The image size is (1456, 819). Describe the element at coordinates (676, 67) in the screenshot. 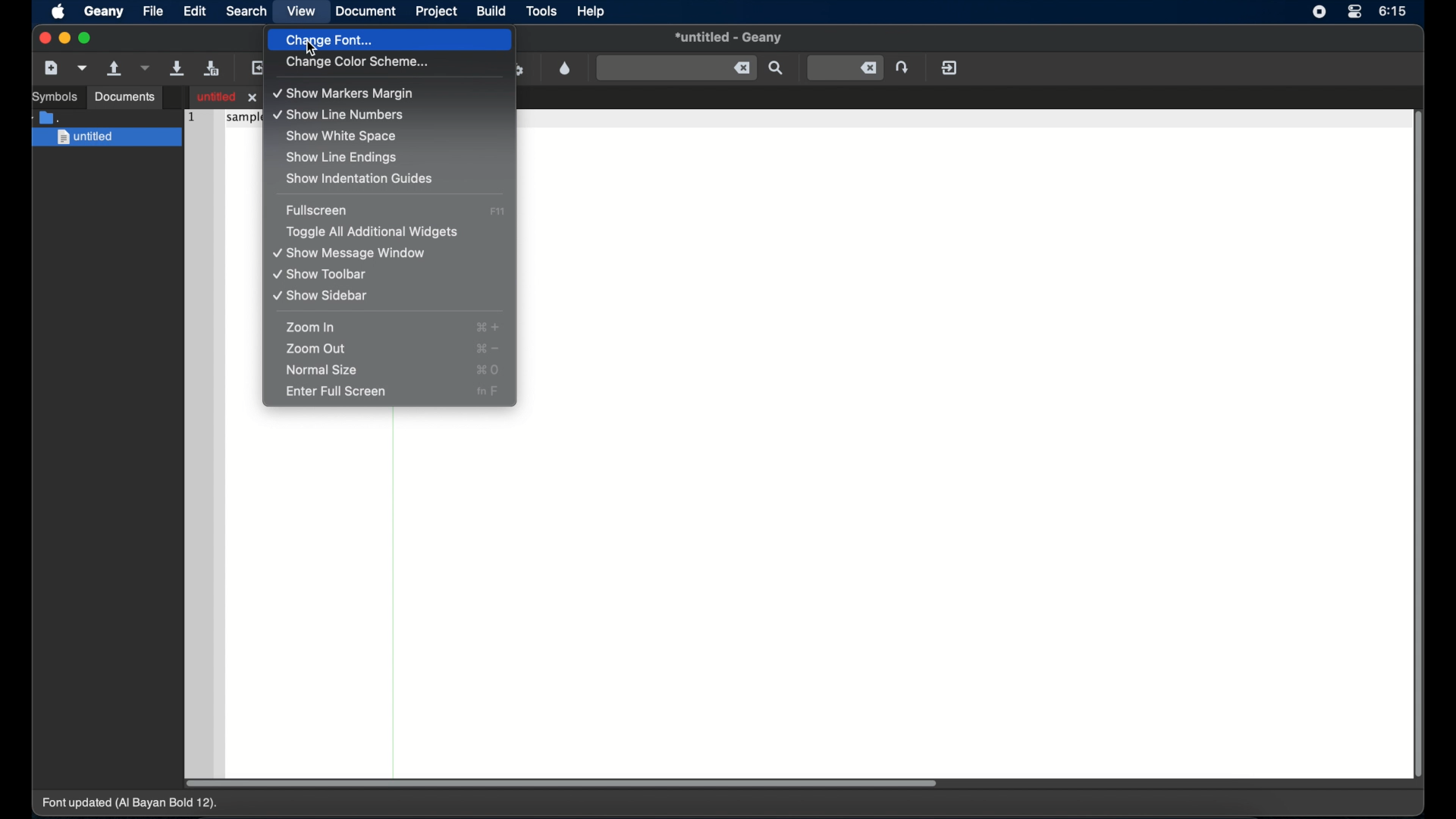

I see `find the entered text in the current file` at that location.